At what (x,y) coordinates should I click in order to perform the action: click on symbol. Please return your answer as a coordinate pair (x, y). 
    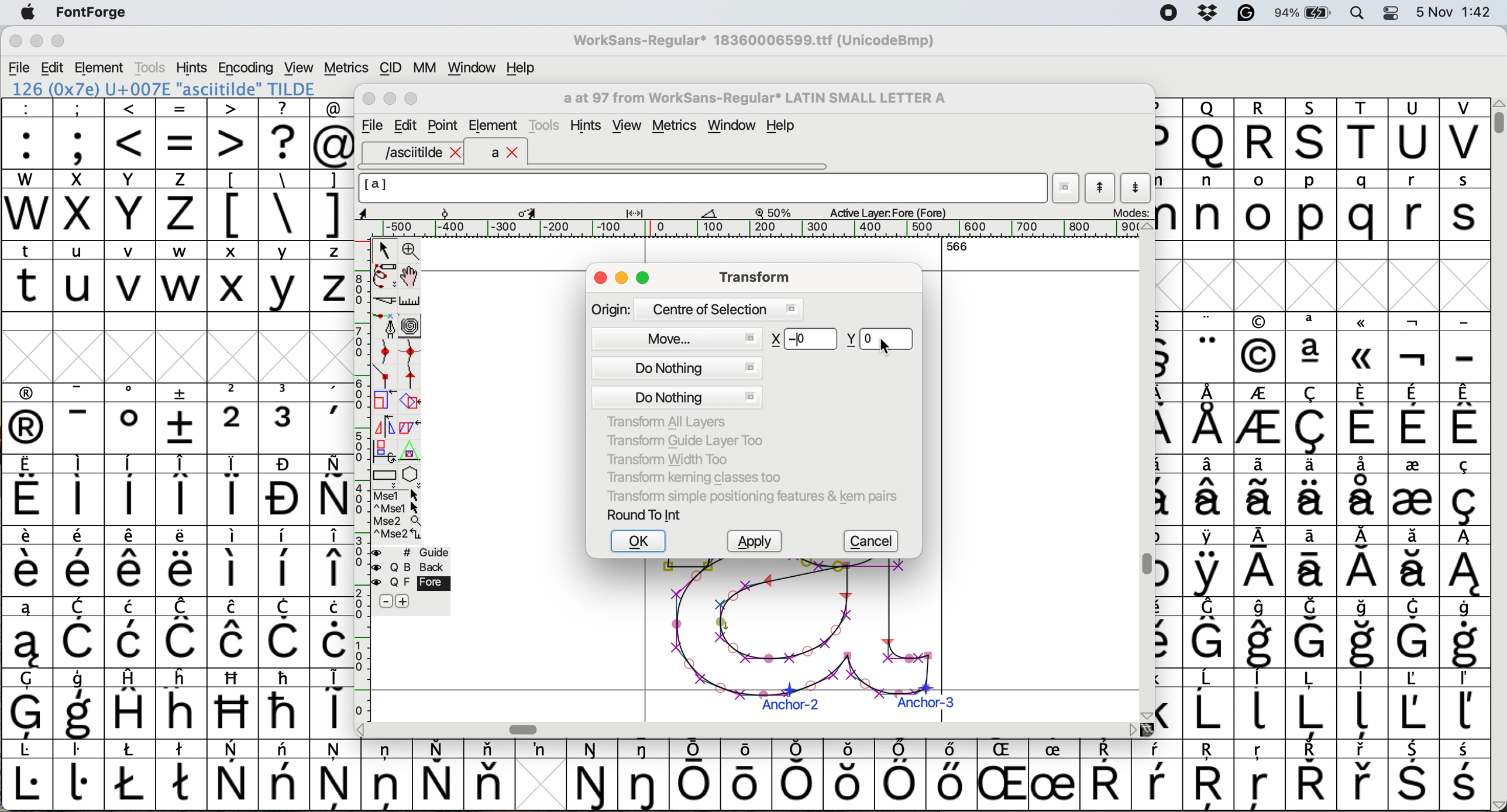
    Looking at the image, I should click on (540, 749).